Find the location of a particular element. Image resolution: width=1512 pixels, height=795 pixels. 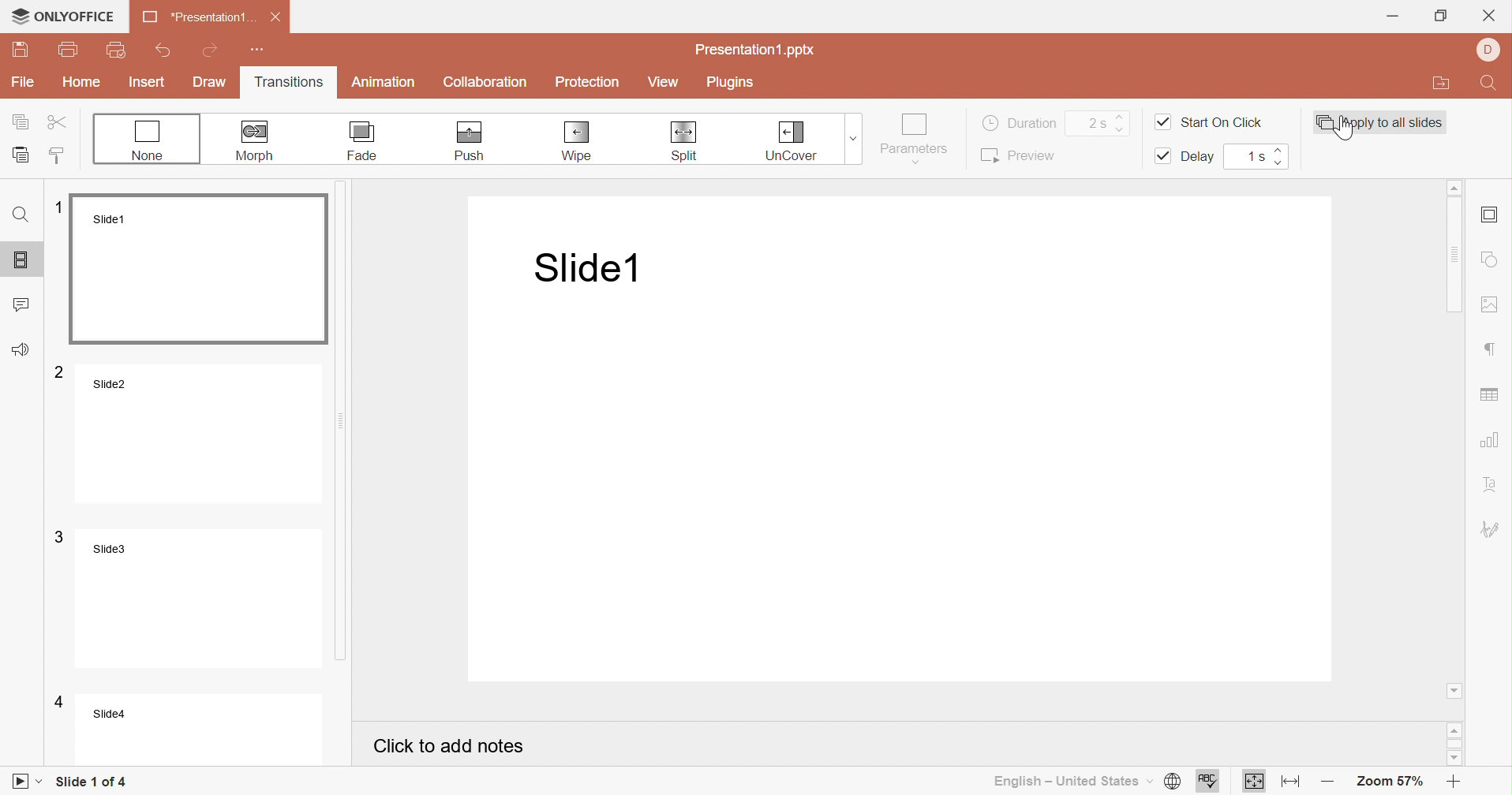

Zoom out is located at coordinates (1324, 783).